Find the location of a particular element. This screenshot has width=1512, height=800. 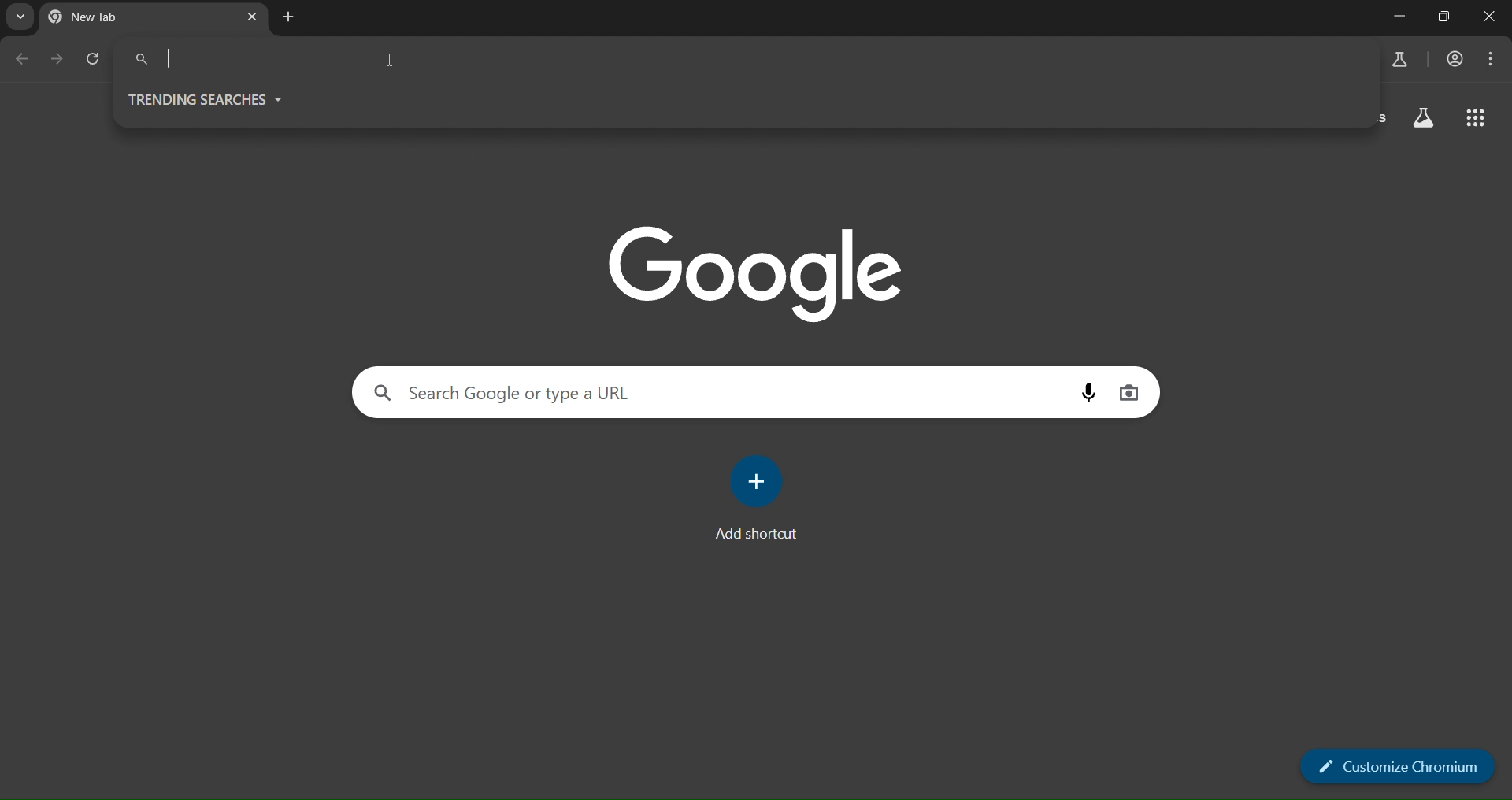

search labs is located at coordinates (1422, 120).